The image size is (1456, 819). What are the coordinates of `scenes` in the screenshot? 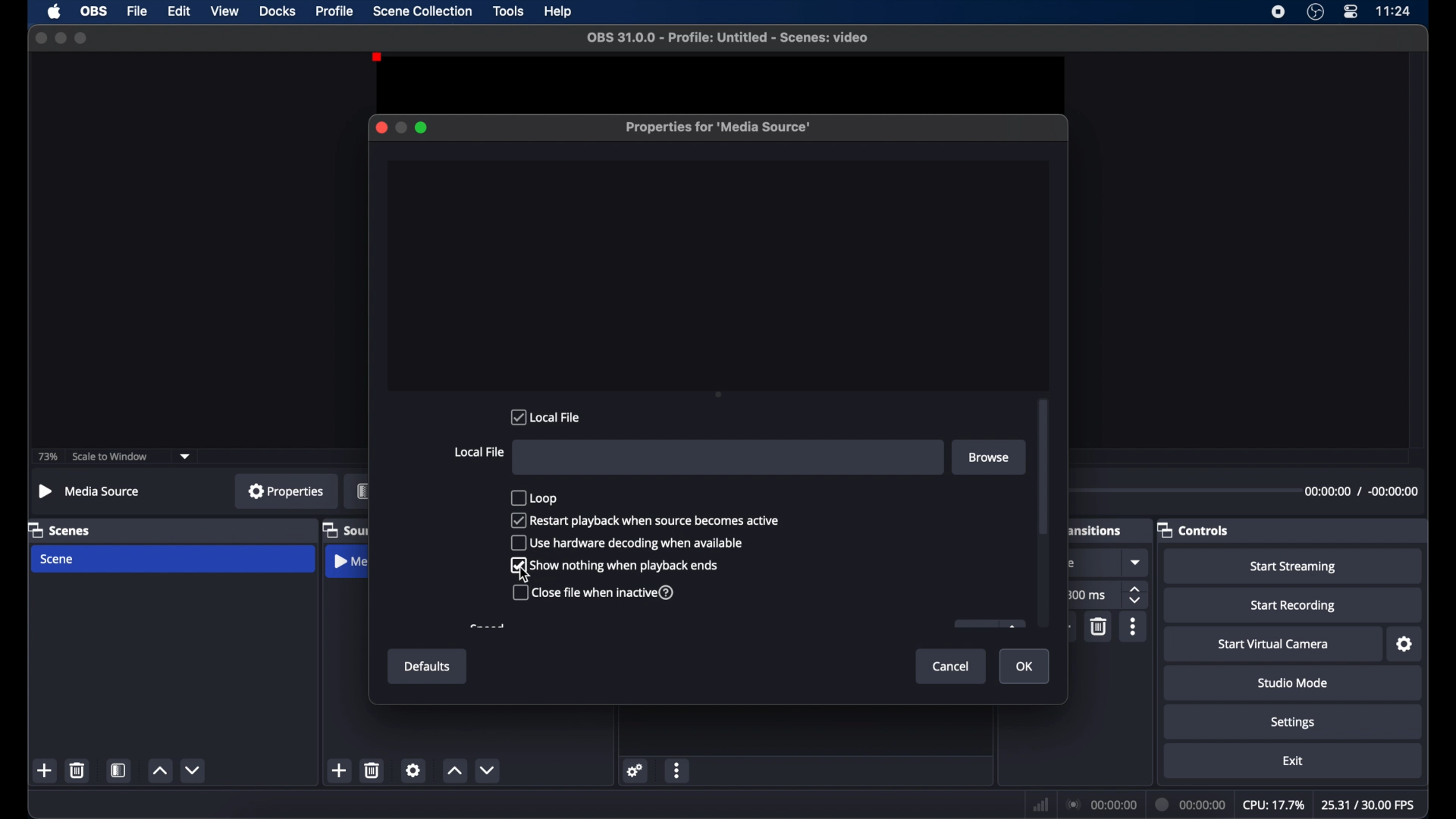 It's located at (61, 529).